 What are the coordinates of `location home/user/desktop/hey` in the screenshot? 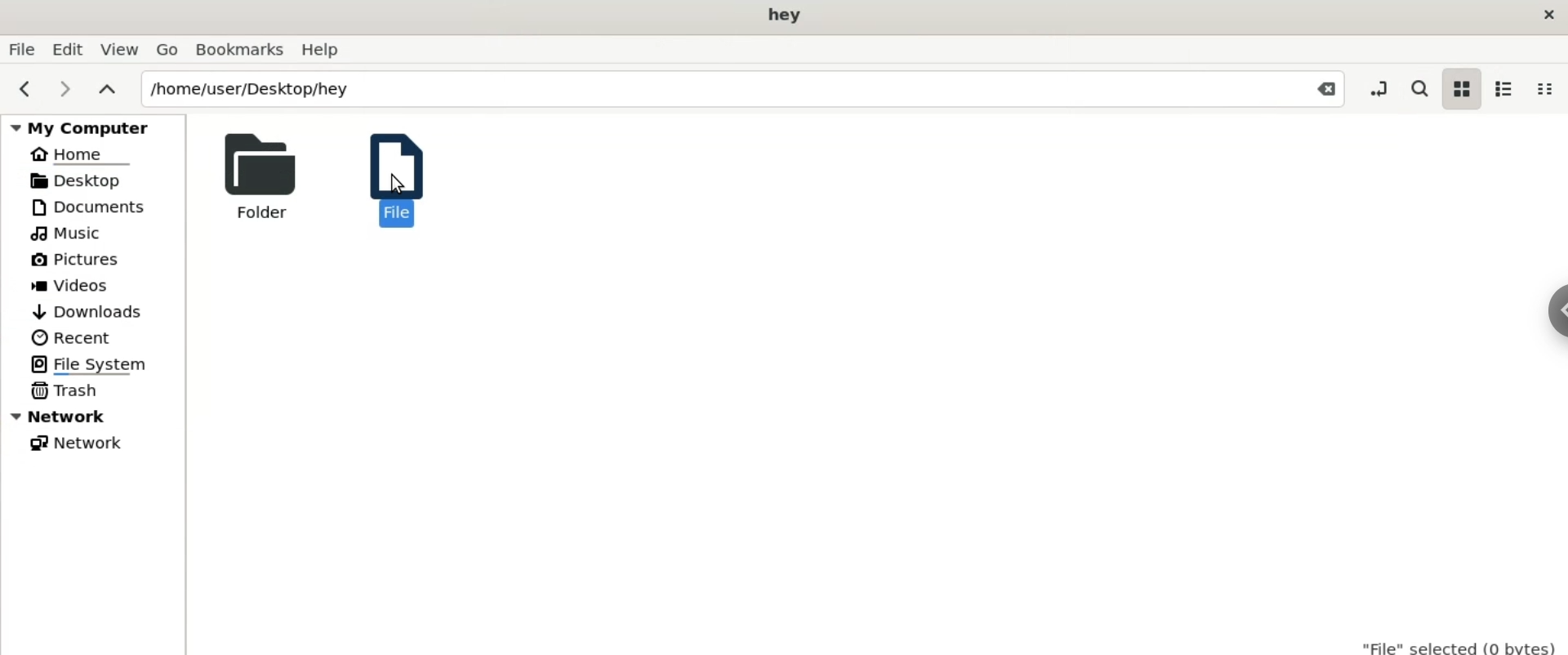 It's located at (742, 89).